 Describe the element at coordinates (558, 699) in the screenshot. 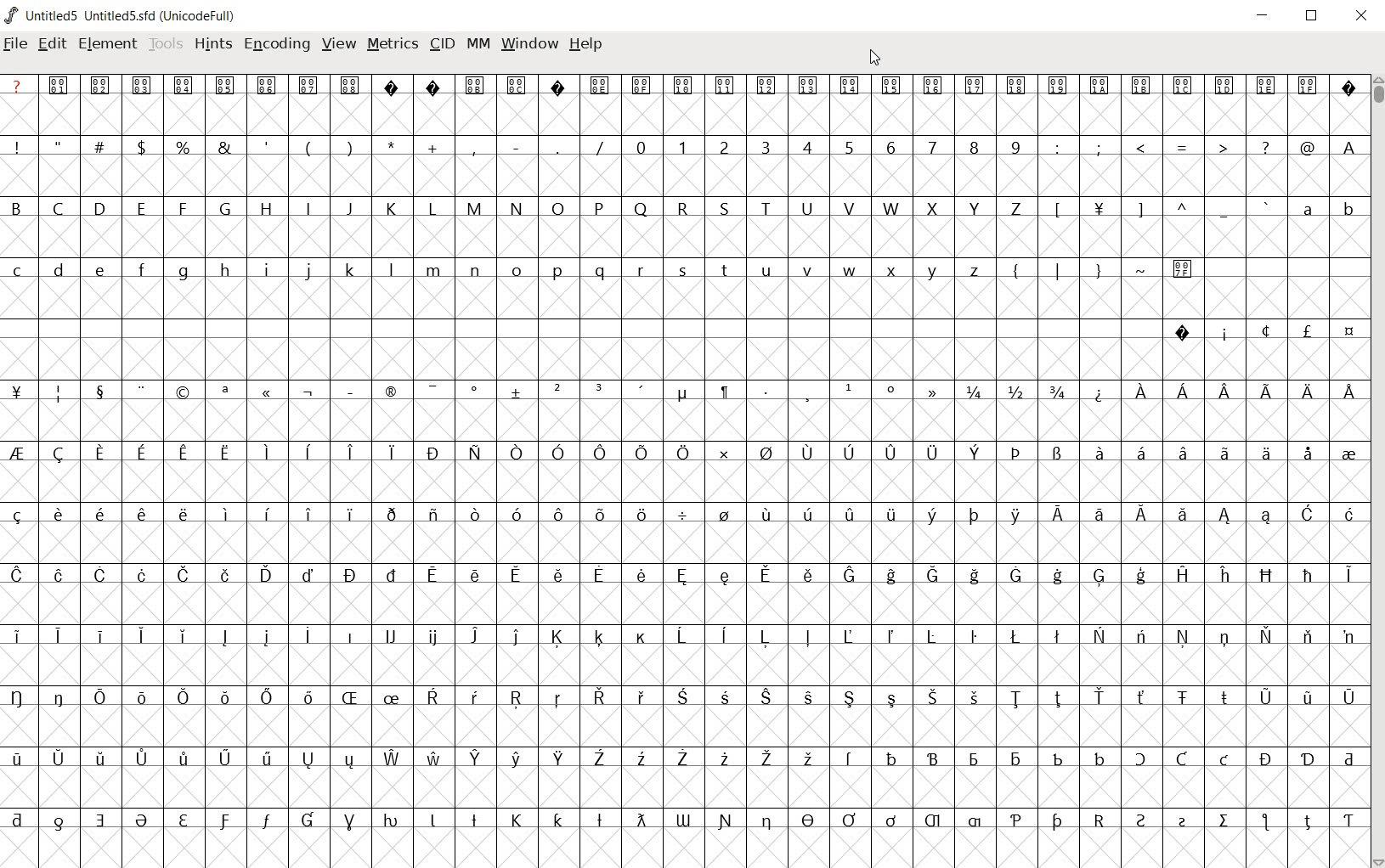

I see `Symbol` at that location.